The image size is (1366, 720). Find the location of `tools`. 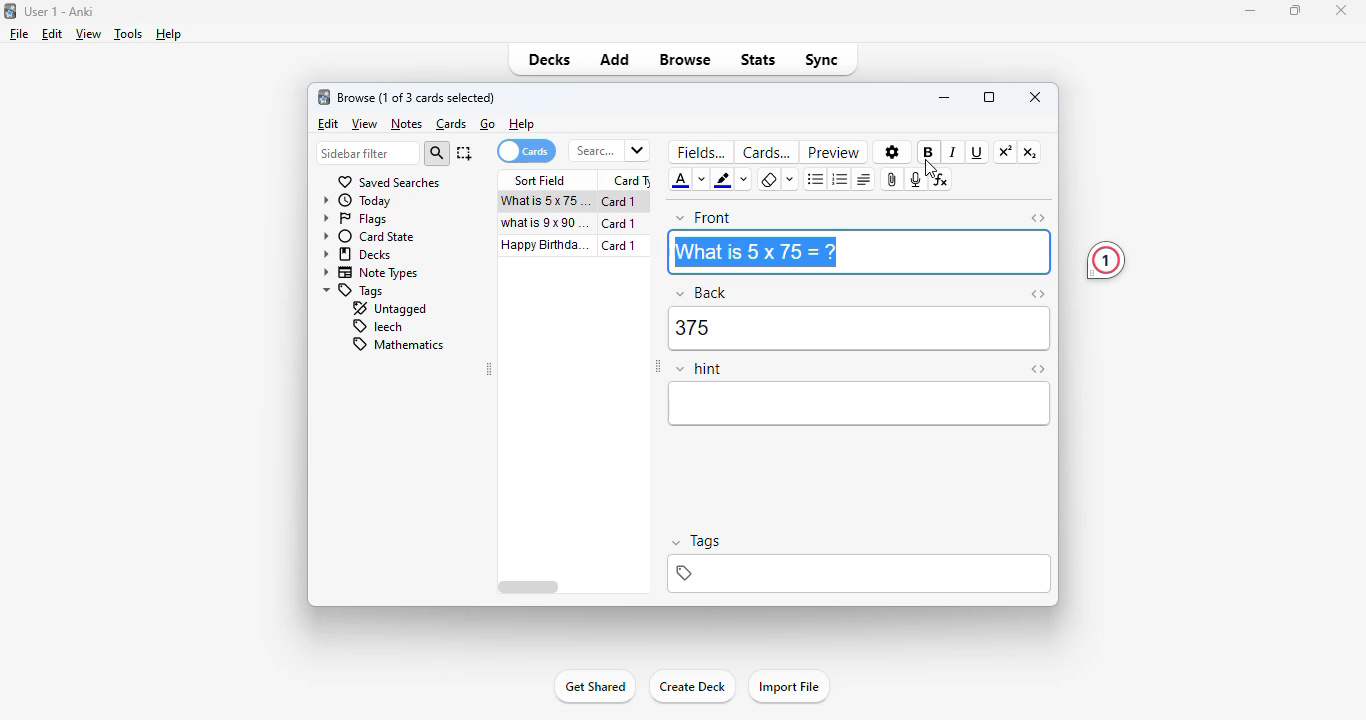

tools is located at coordinates (130, 34).